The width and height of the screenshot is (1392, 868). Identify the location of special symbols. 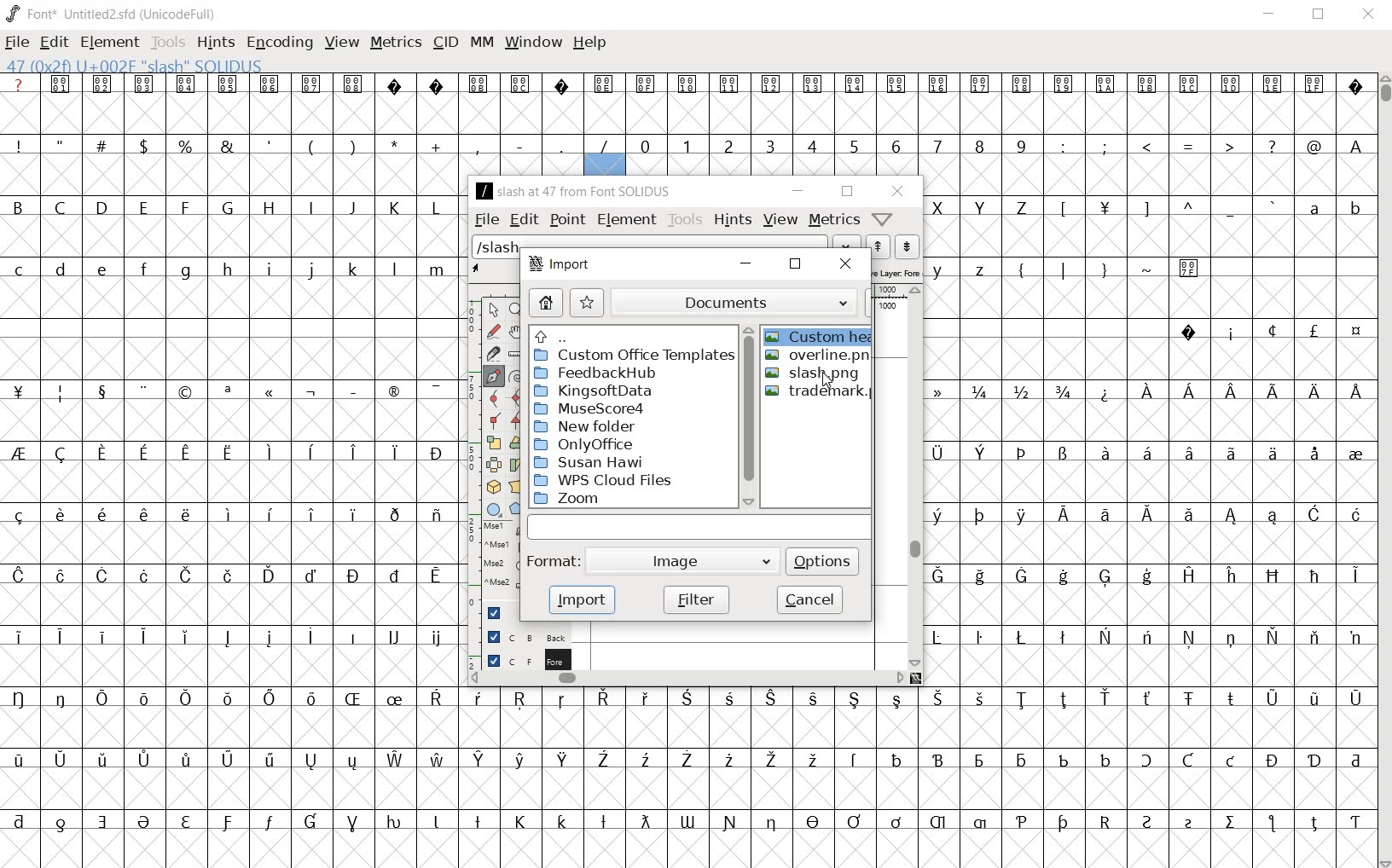
(1263, 330).